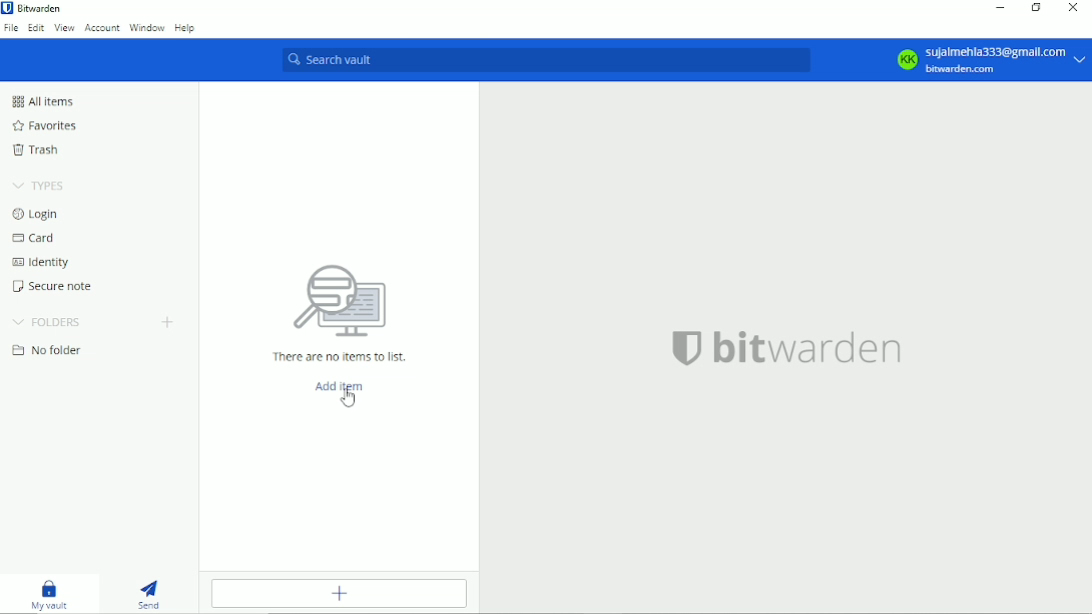 This screenshot has height=614, width=1092. What do you see at coordinates (10, 31) in the screenshot?
I see `File` at bounding box center [10, 31].